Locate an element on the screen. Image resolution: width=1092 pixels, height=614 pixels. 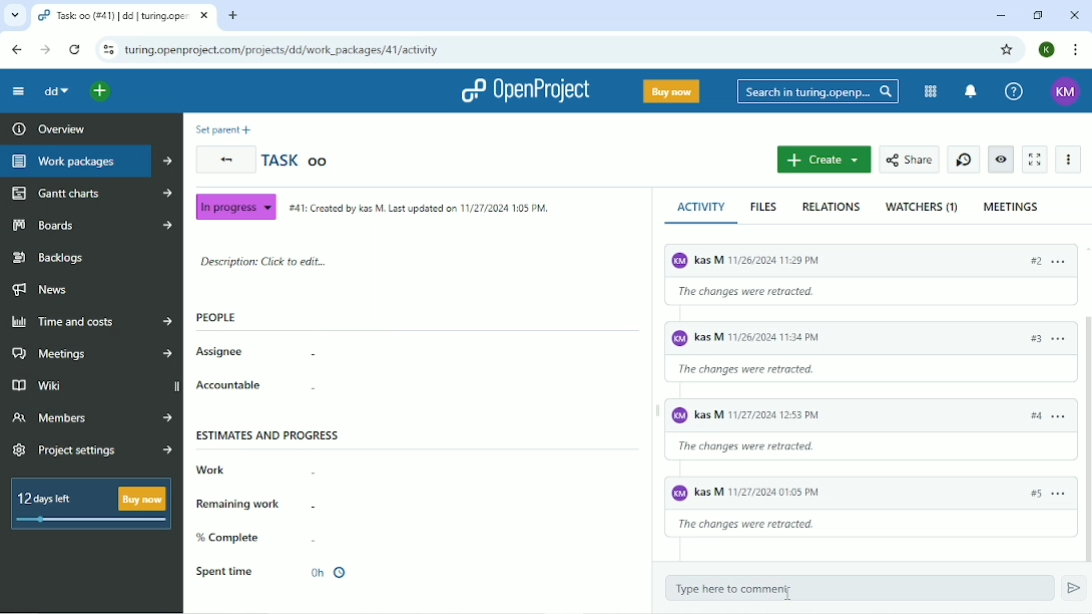
Open quick add menu is located at coordinates (102, 92).